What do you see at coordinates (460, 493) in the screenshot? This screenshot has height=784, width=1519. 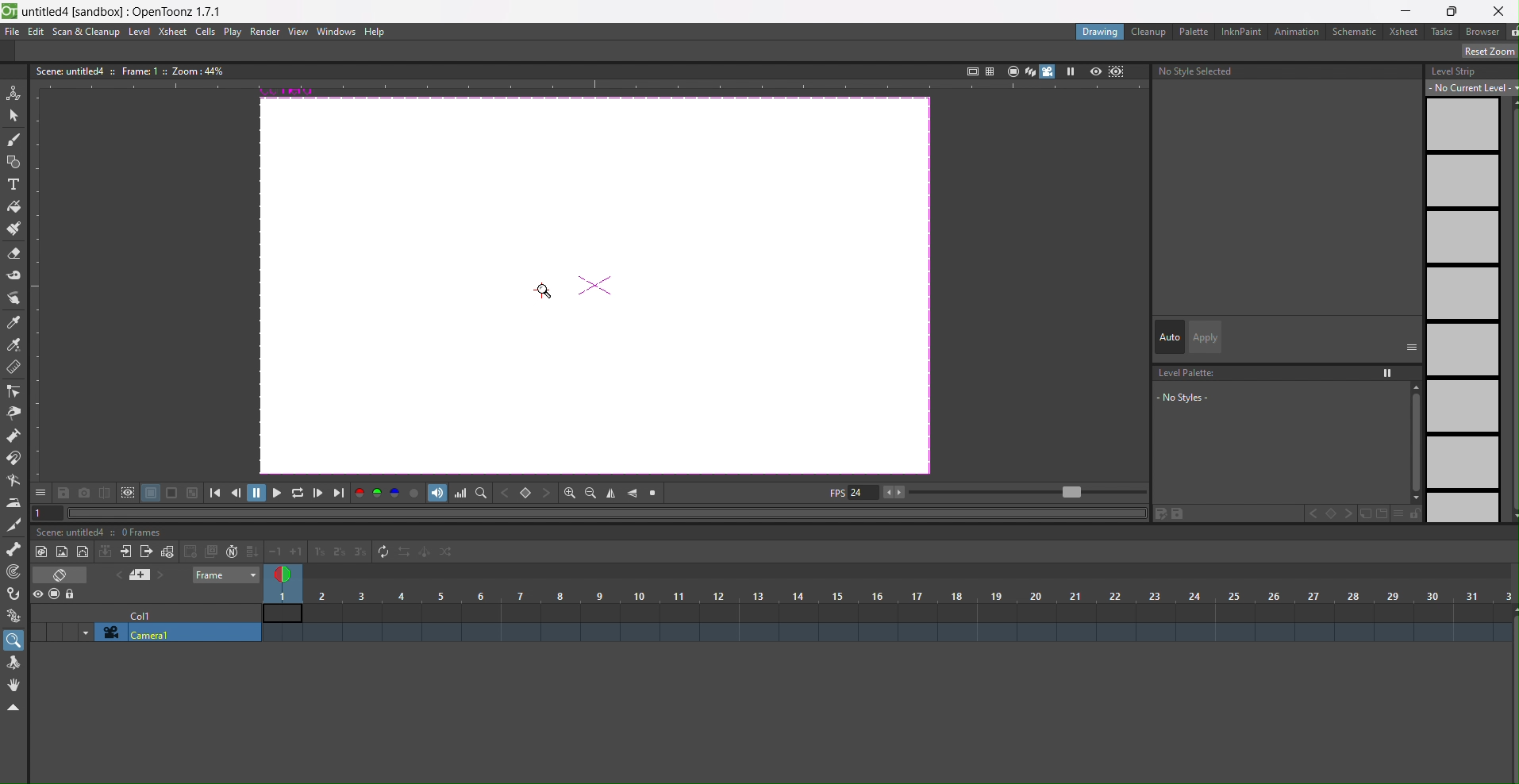 I see `` at bounding box center [460, 493].